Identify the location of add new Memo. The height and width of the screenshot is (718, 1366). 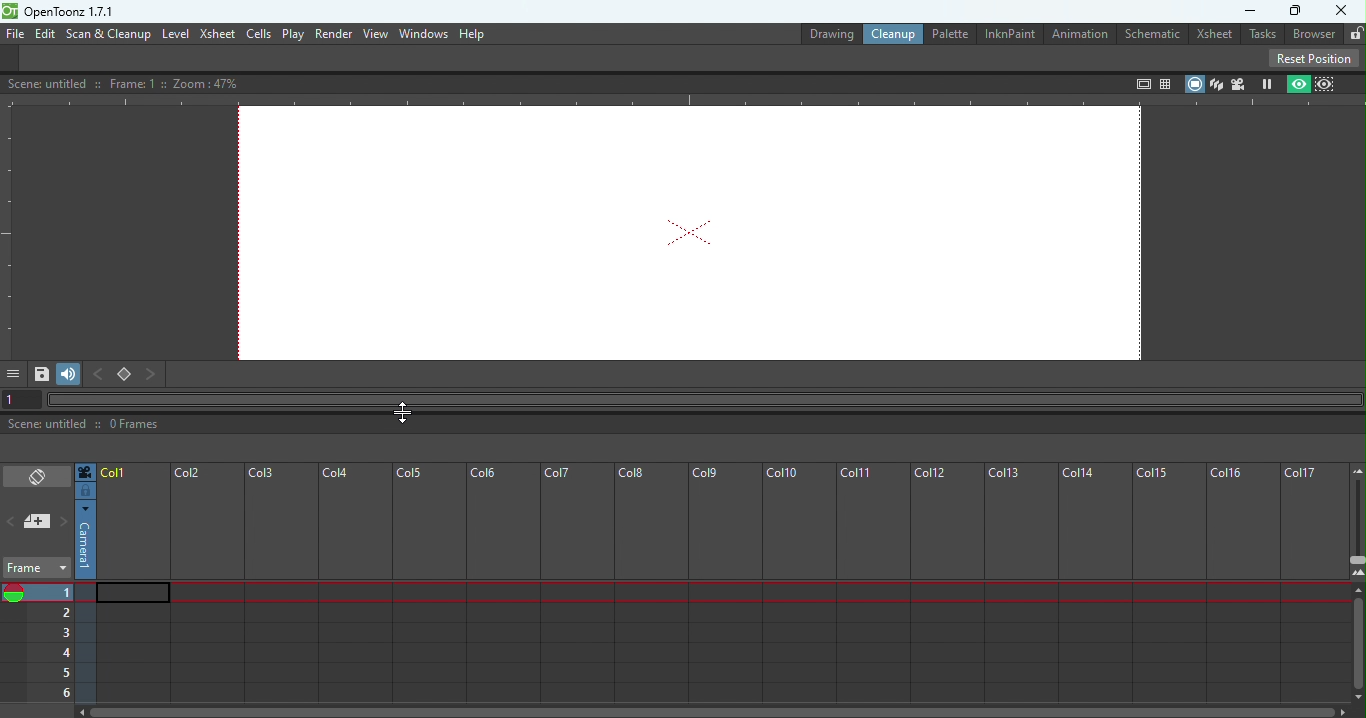
(33, 521).